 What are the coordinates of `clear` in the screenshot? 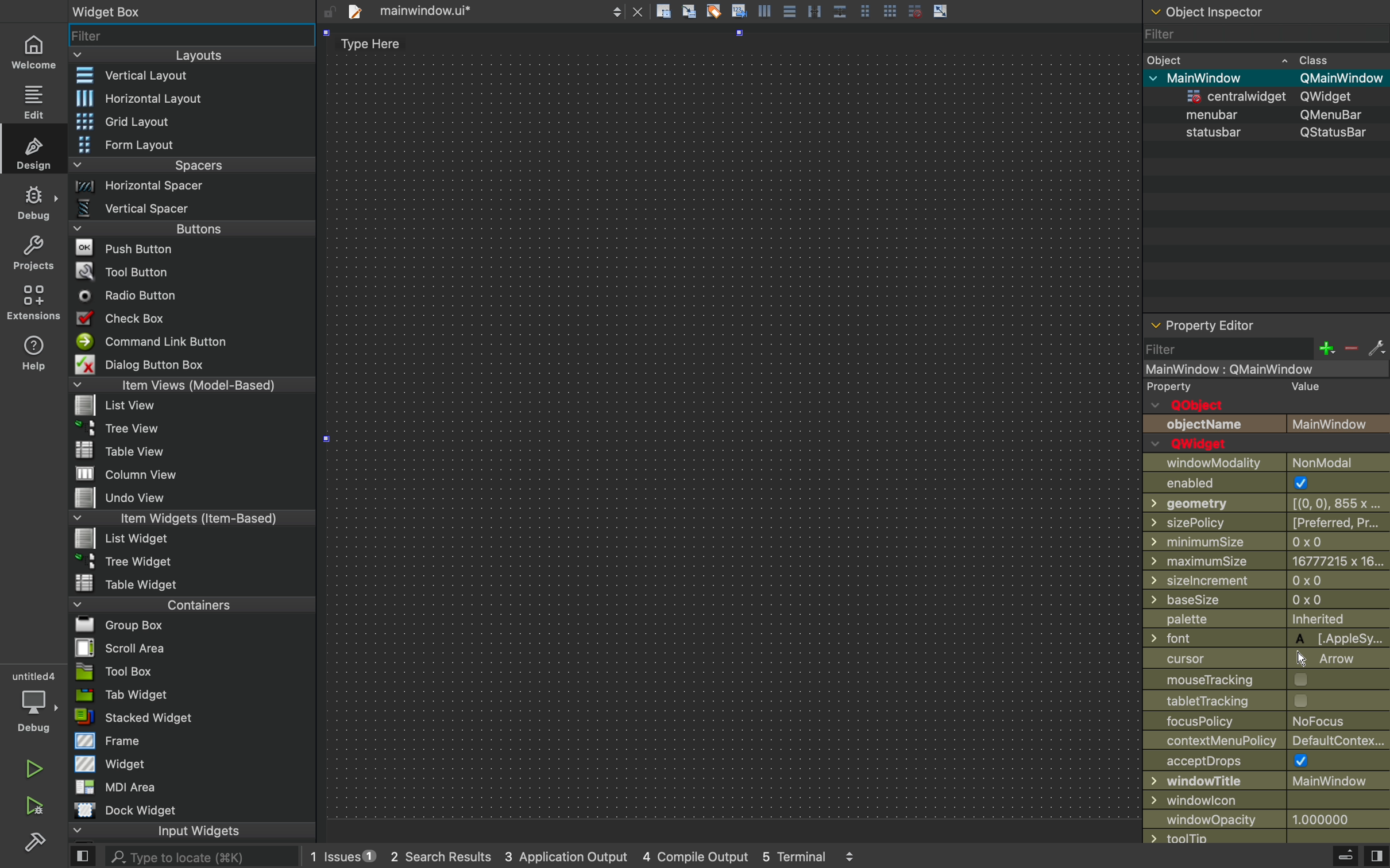 It's located at (714, 11).